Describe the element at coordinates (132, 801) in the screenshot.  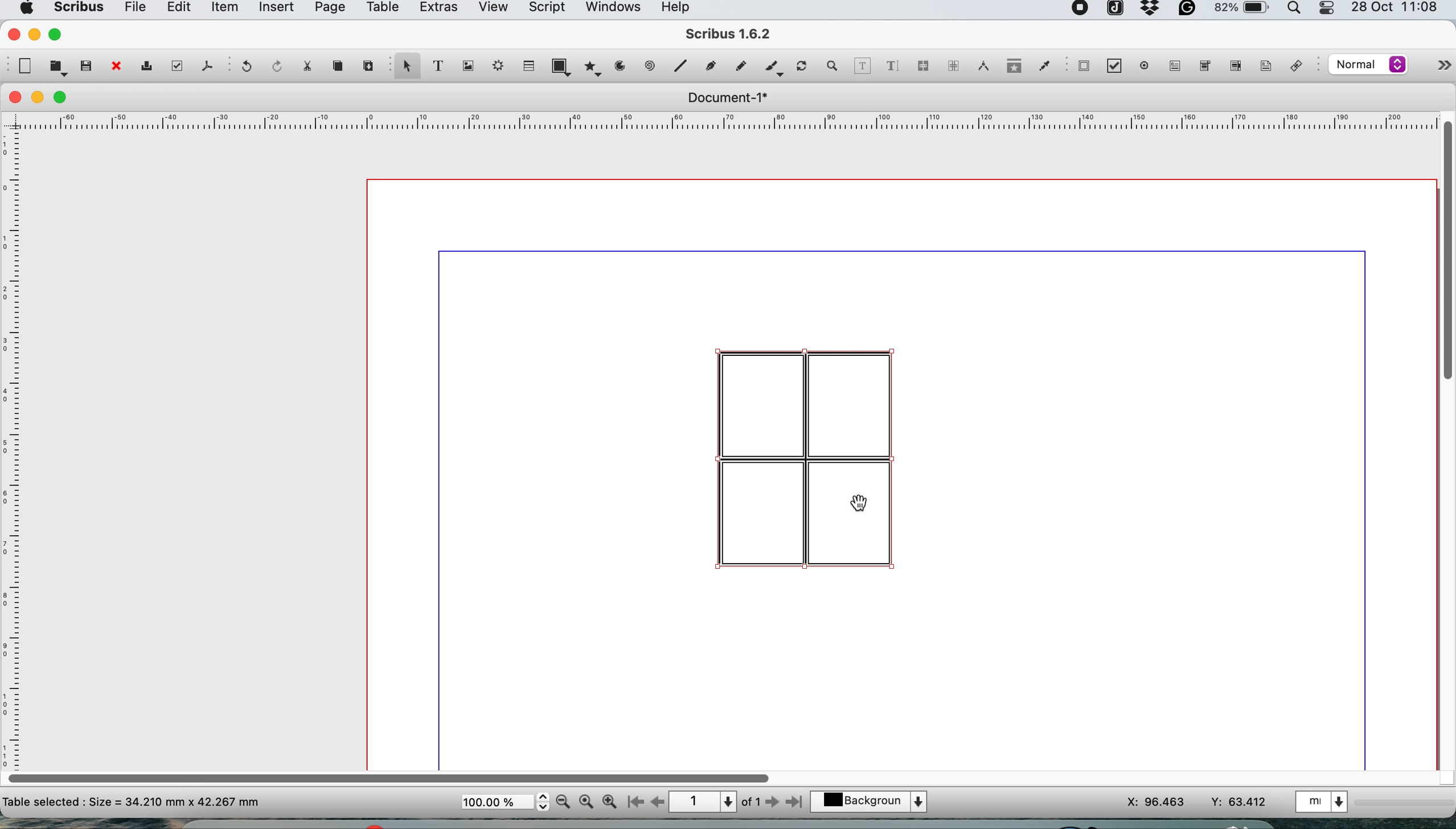
I see `text` at that location.